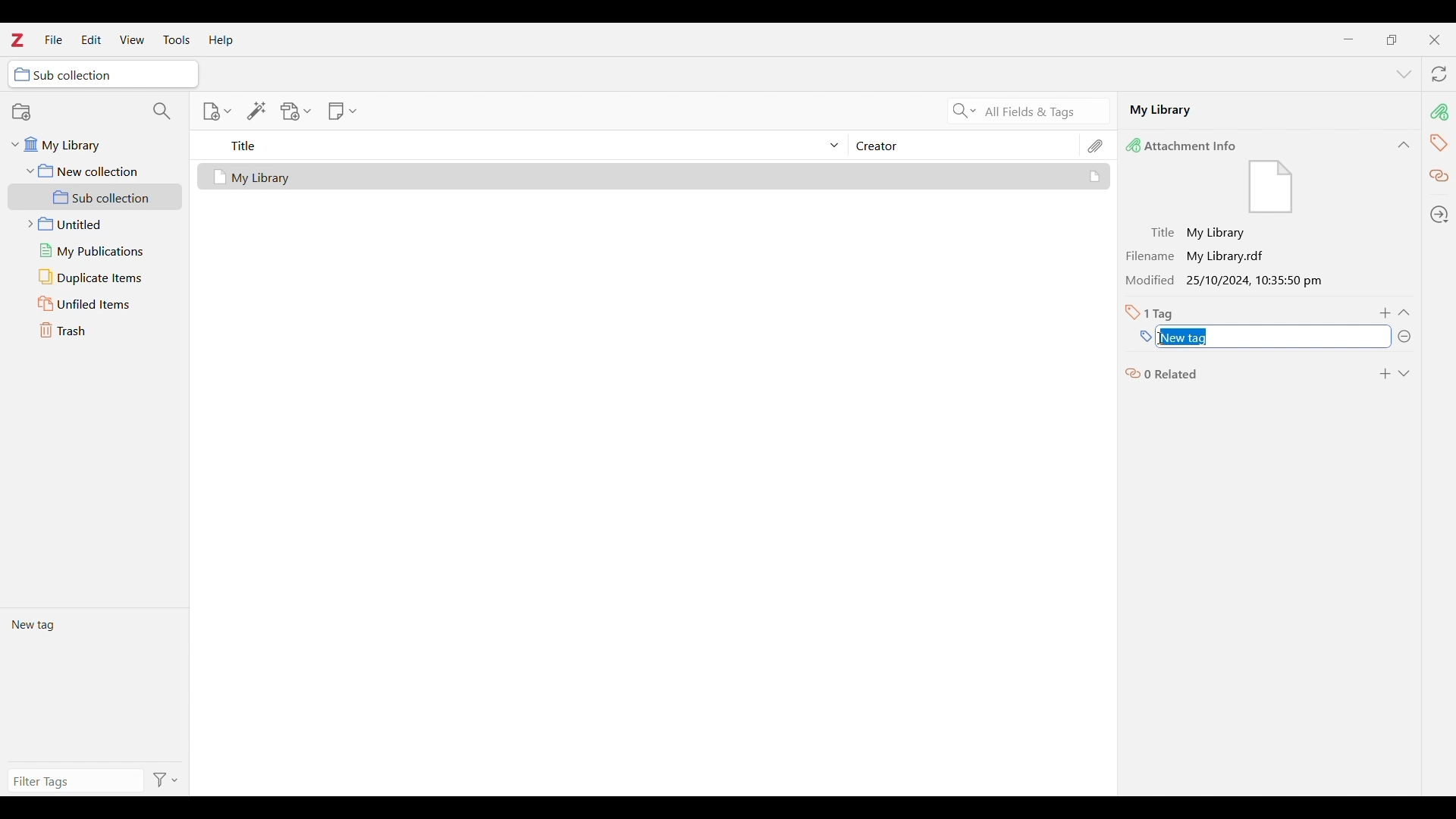 The image size is (1456, 819). Describe the element at coordinates (1404, 145) in the screenshot. I see `Collapse` at that location.